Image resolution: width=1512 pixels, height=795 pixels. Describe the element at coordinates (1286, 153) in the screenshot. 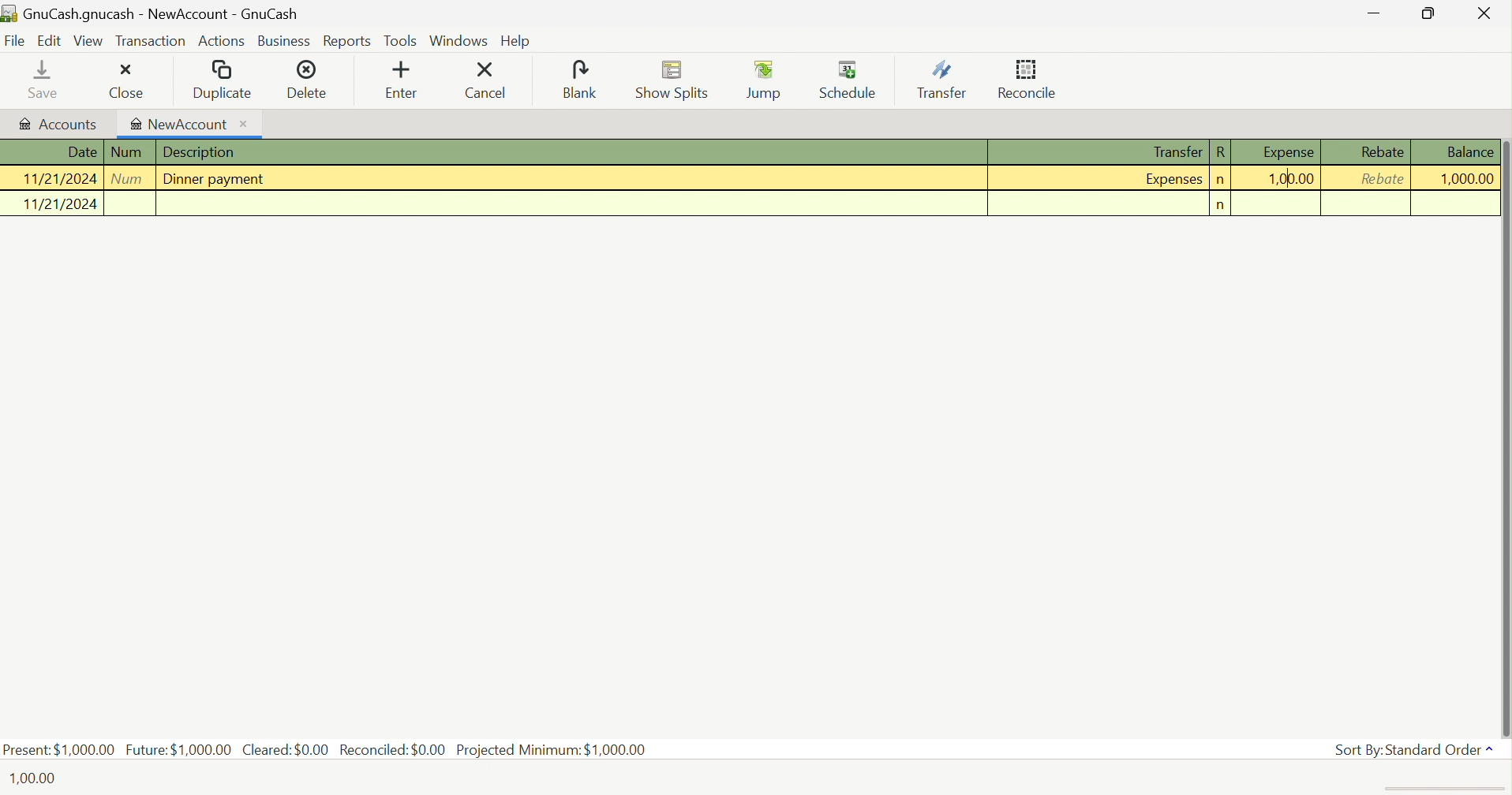

I see `Expense` at that location.